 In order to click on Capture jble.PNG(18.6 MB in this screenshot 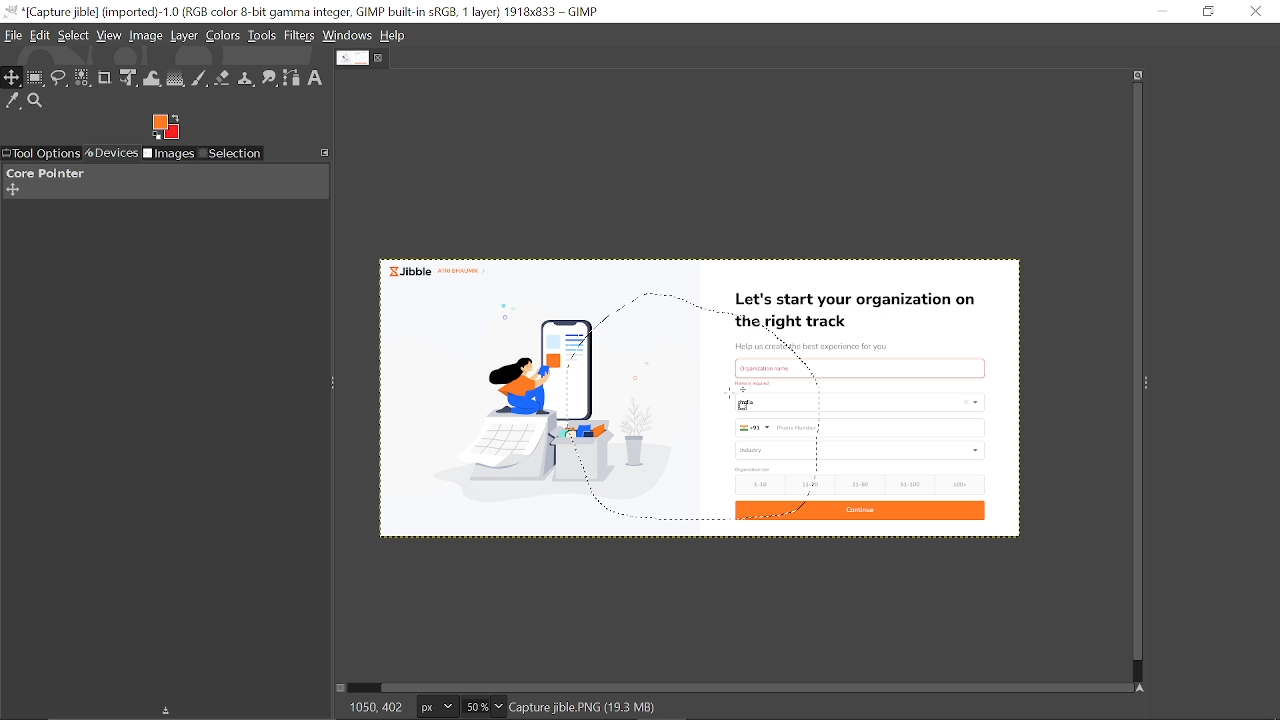, I will do `click(585, 706)`.